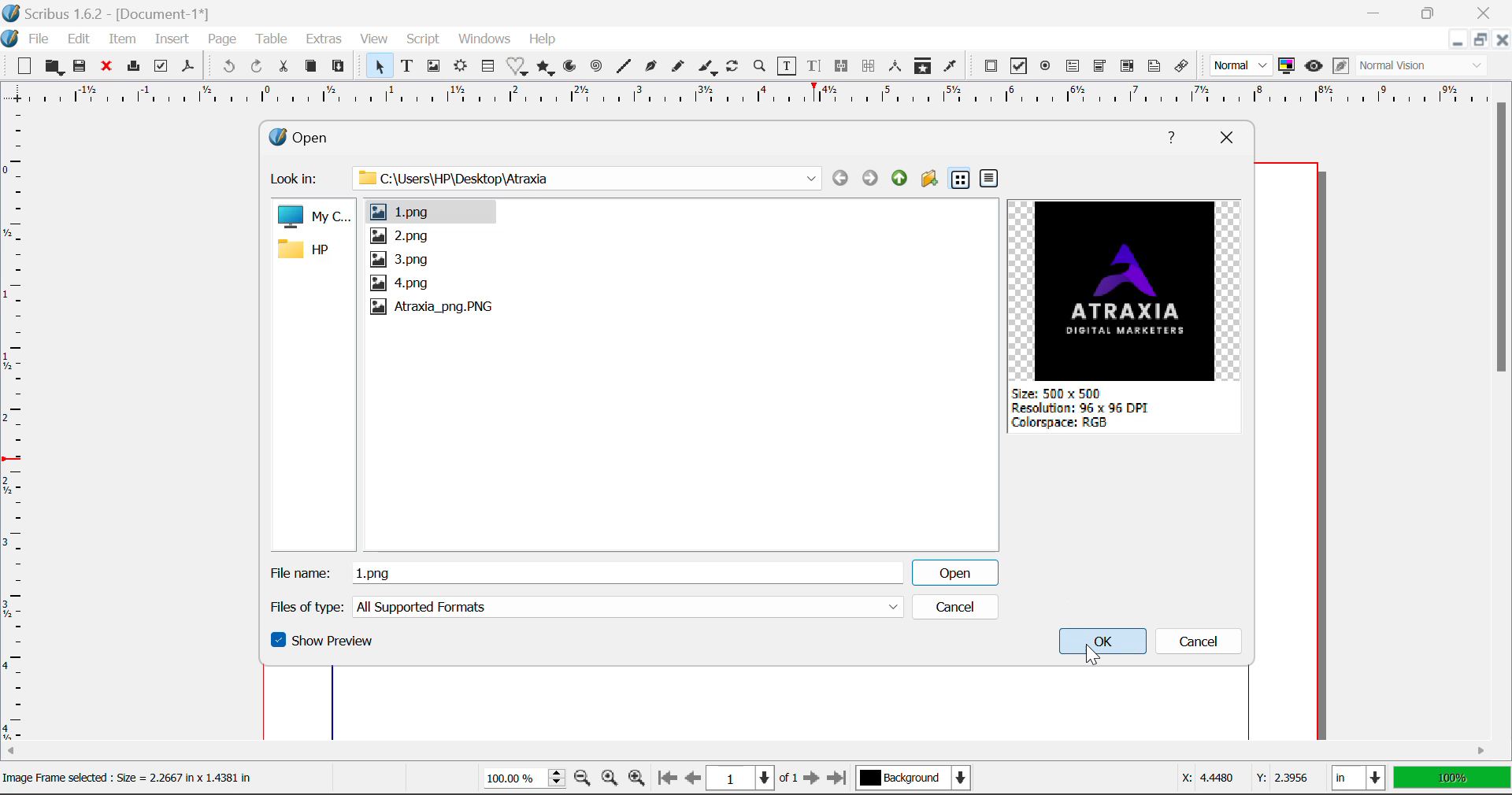 The width and height of the screenshot is (1512, 795). Describe the element at coordinates (1488, 13) in the screenshot. I see `Close` at that location.